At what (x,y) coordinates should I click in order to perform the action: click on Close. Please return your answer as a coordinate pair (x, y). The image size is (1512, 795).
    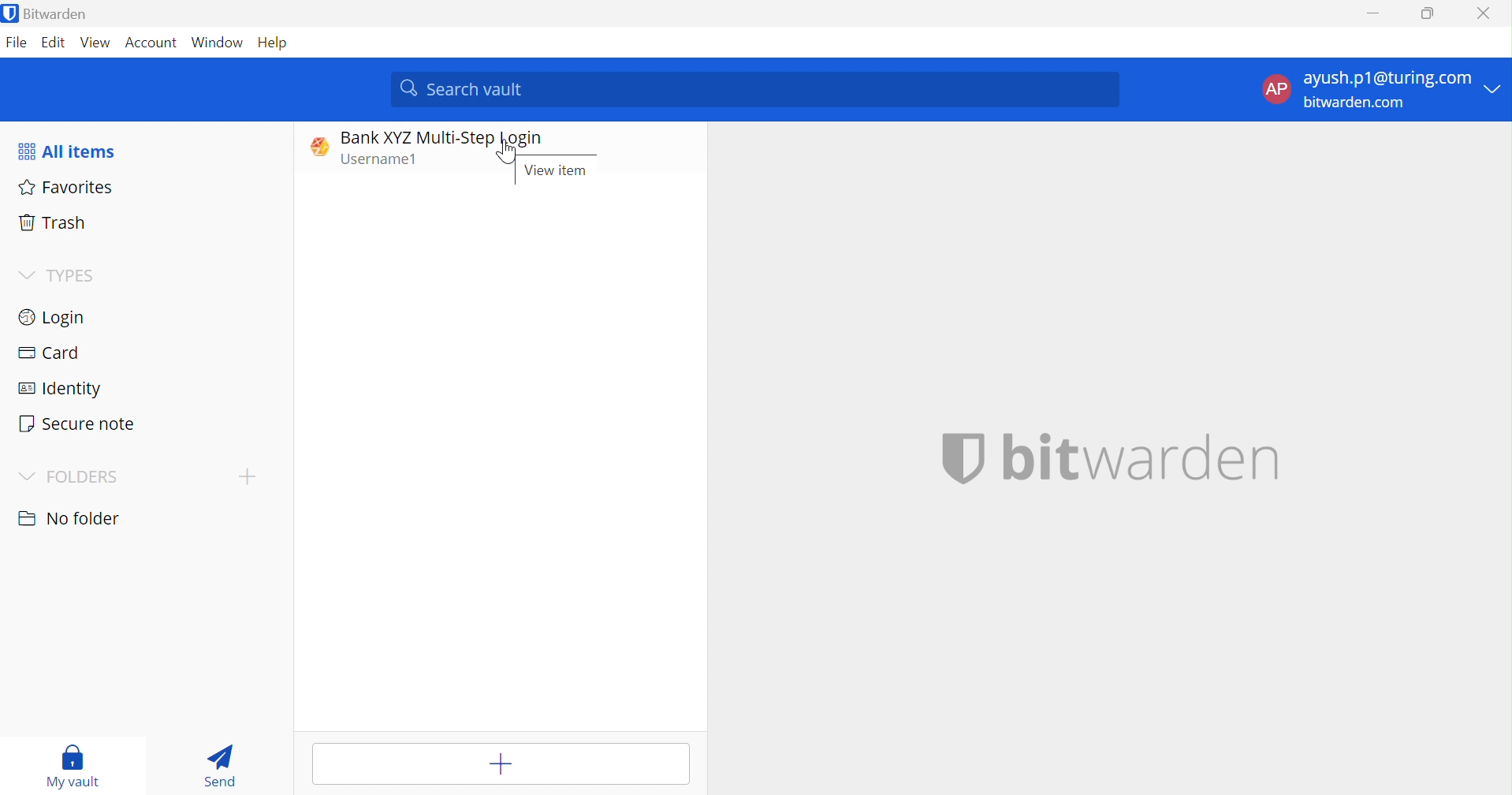
    Looking at the image, I should click on (1487, 13).